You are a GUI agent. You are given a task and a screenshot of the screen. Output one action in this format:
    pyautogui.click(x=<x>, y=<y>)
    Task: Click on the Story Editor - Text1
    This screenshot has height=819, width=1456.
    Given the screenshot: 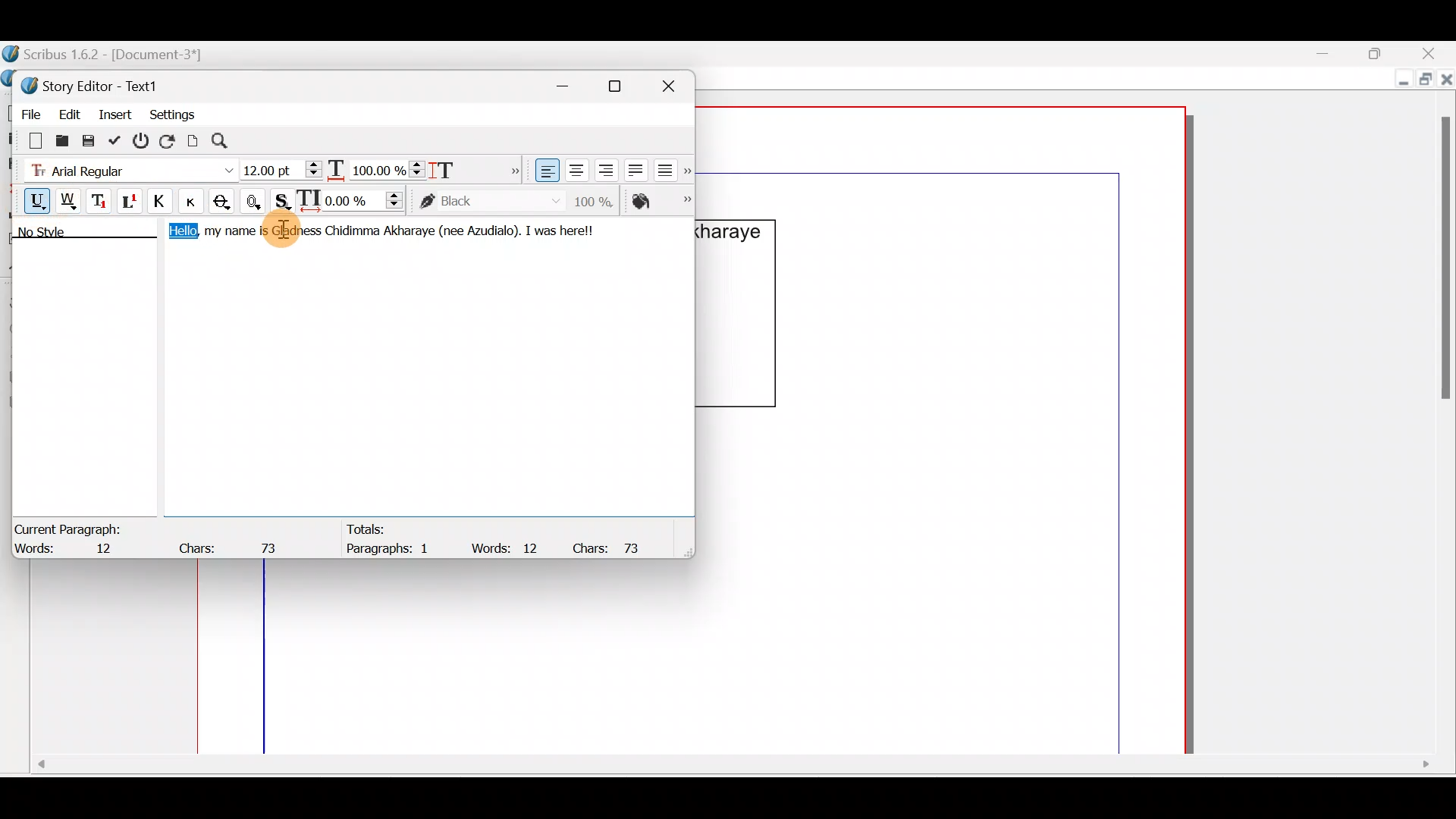 What is the action you would take?
    pyautogui.click(x=95, y=84)
    